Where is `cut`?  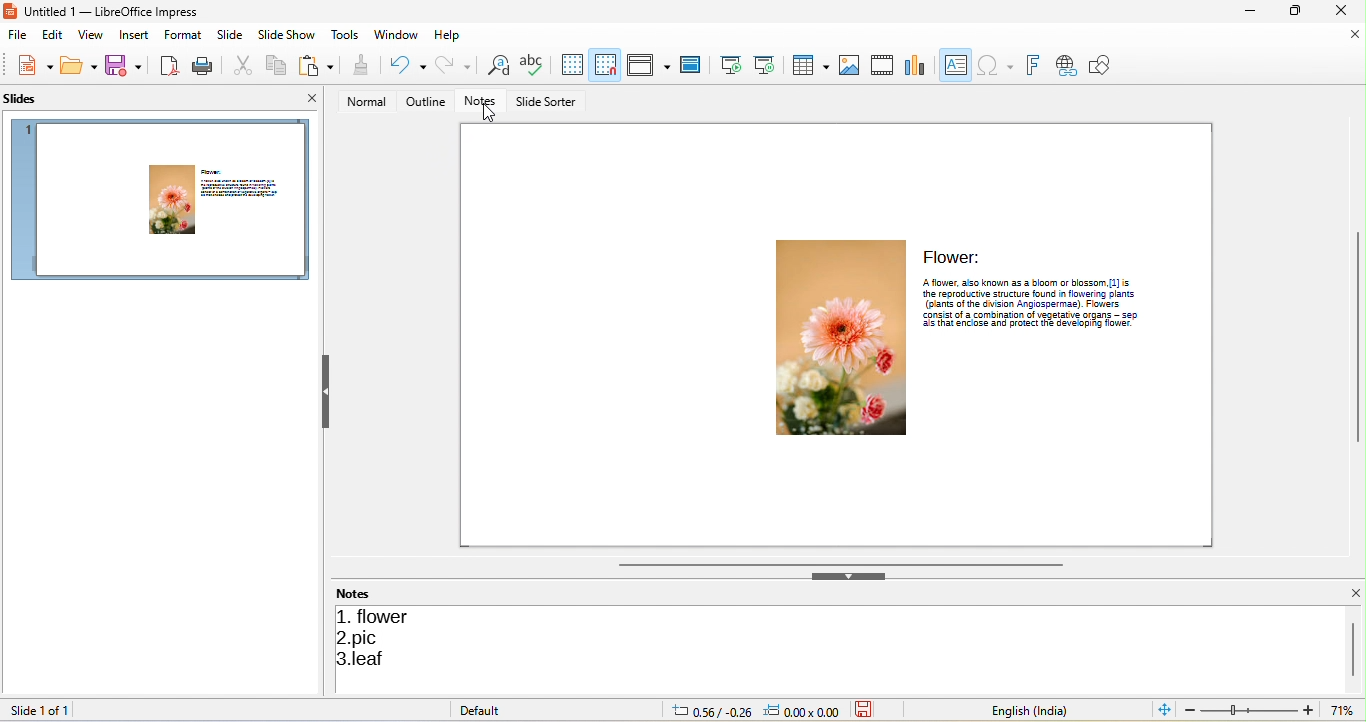
cut is located at coordinates (240, 65).